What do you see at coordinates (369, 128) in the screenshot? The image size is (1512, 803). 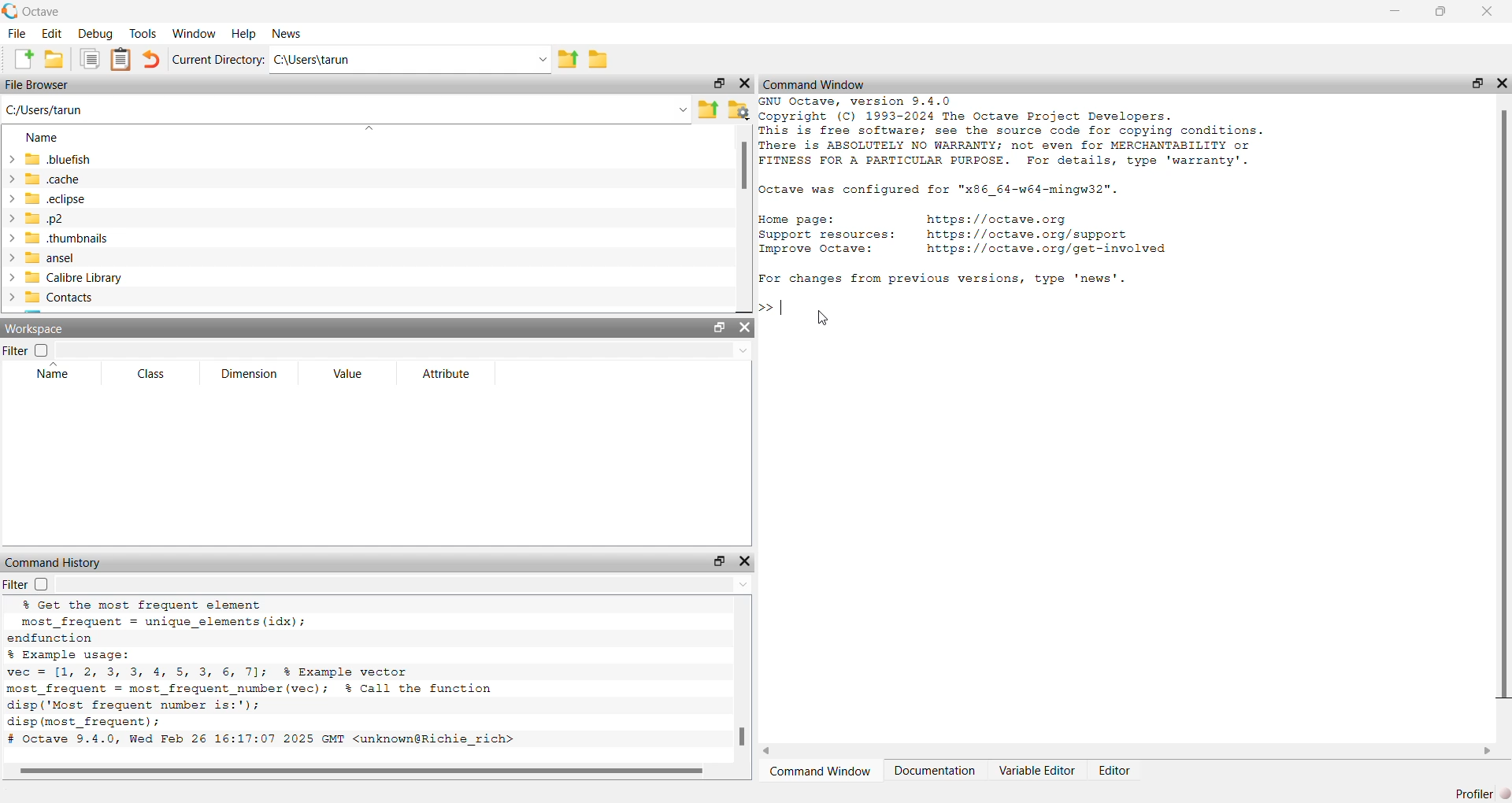 I see `arrange` at bounding box center [369, 128].